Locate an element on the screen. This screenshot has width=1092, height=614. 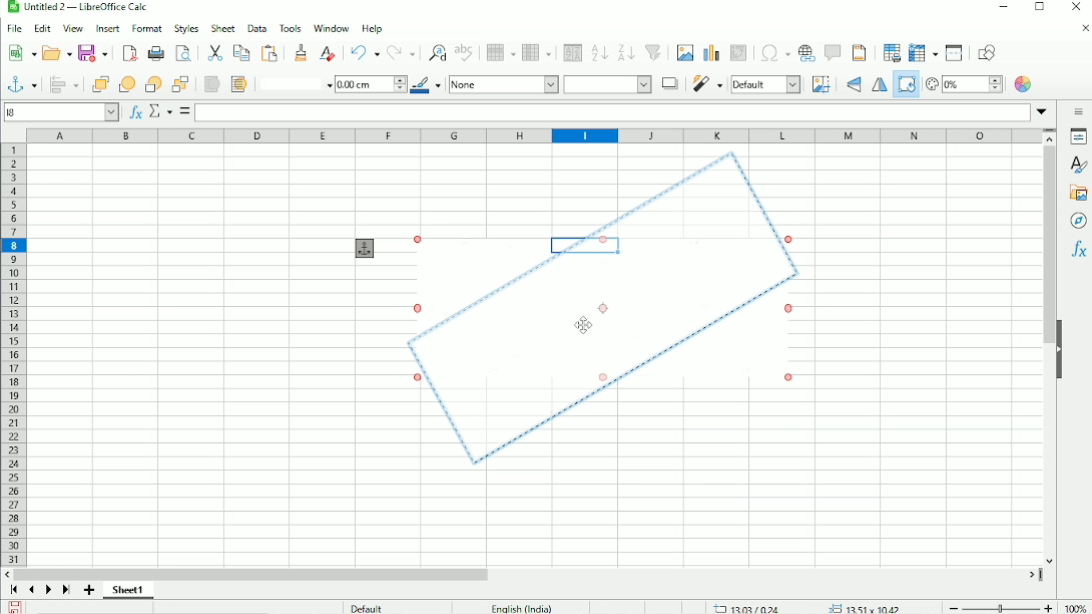
Open is located at coordinates (57, 53).